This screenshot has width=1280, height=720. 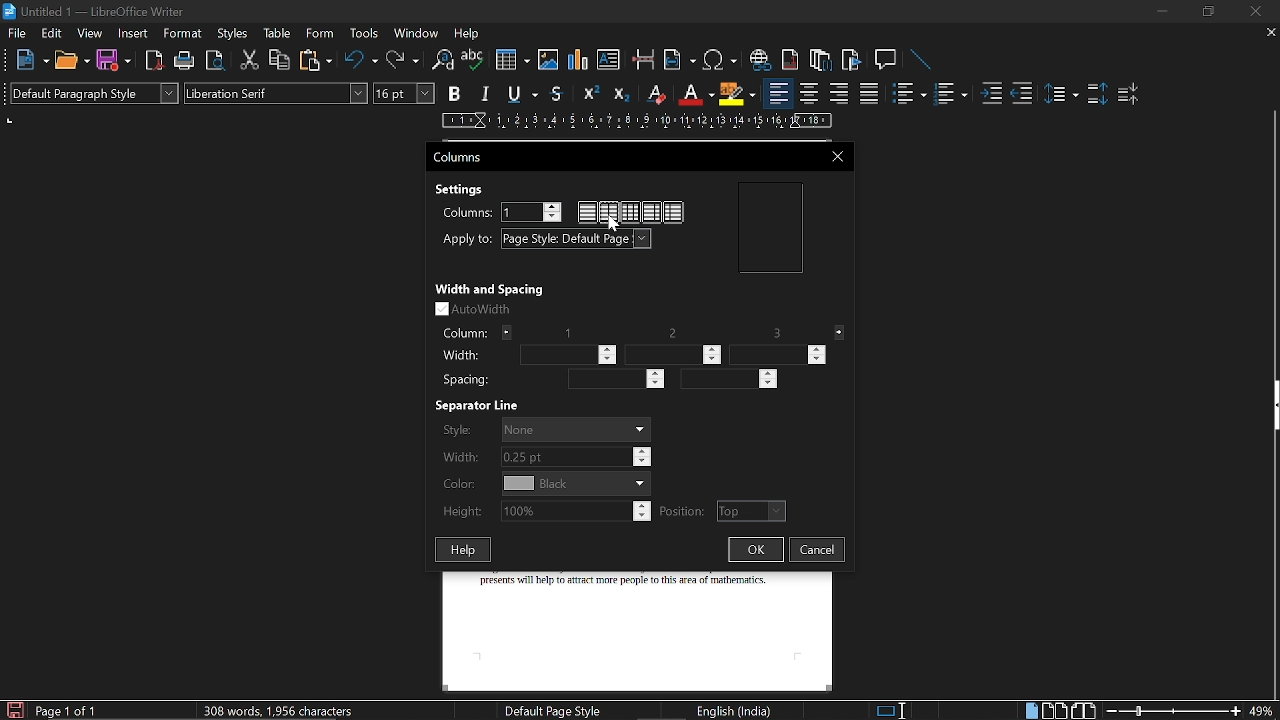 I want to click on New, so click(x=30, y=63).